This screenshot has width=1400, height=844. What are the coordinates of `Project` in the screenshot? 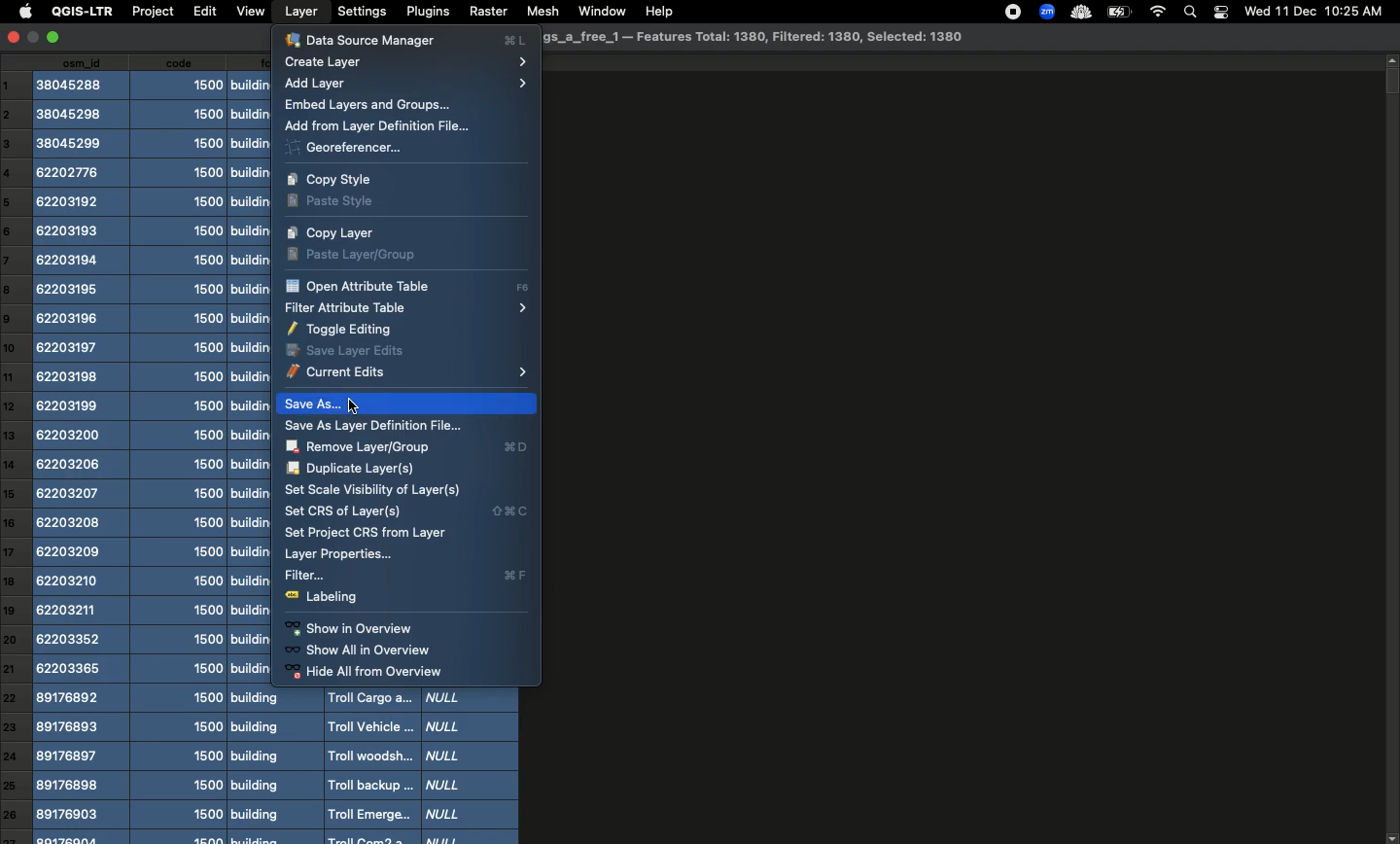 It's located at (152, 13).